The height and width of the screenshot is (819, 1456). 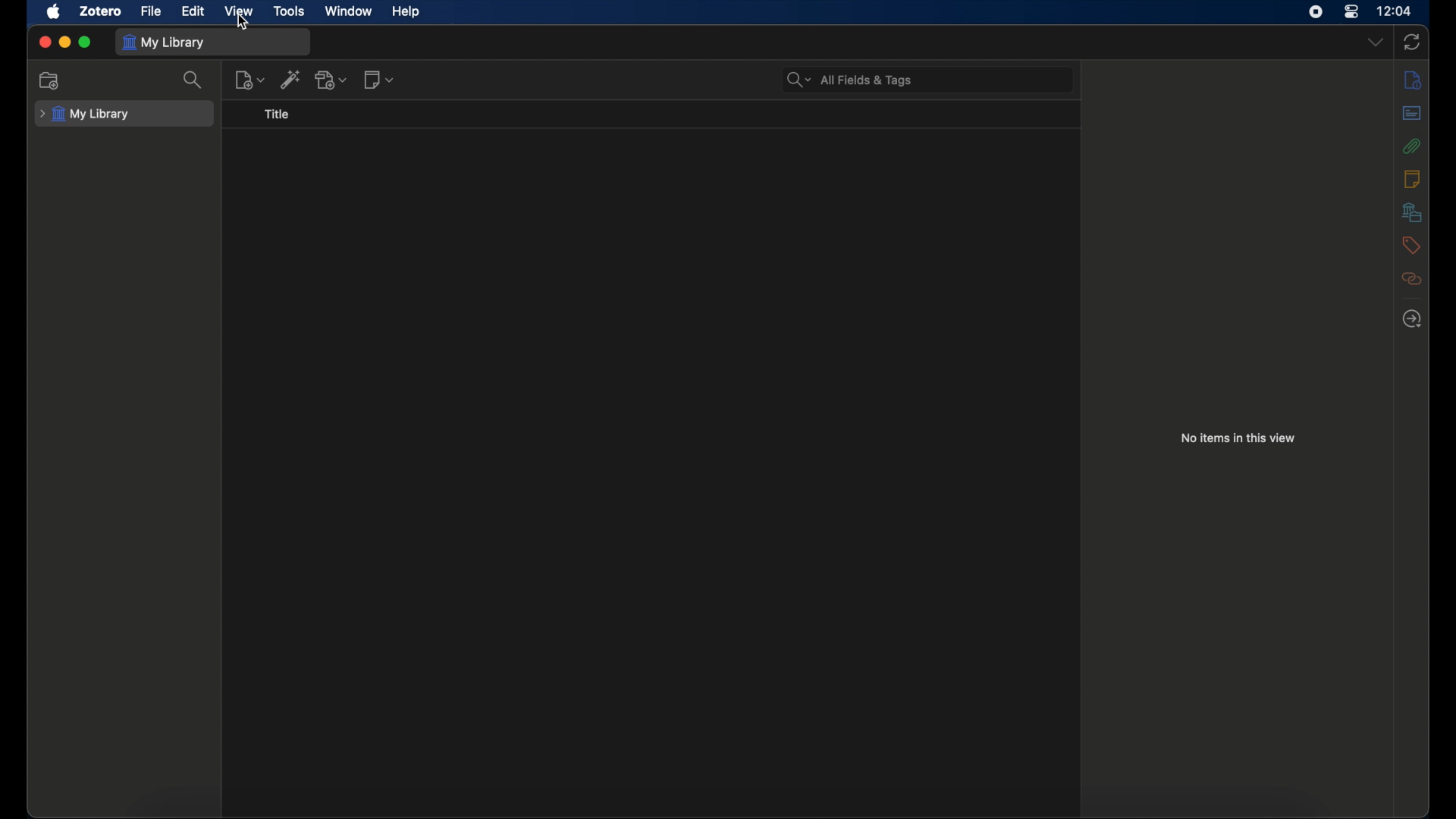 What do you see at coordinates (290, 79) in the screenshot?
I see `add item by identifier` at bounding box center [290, 79].